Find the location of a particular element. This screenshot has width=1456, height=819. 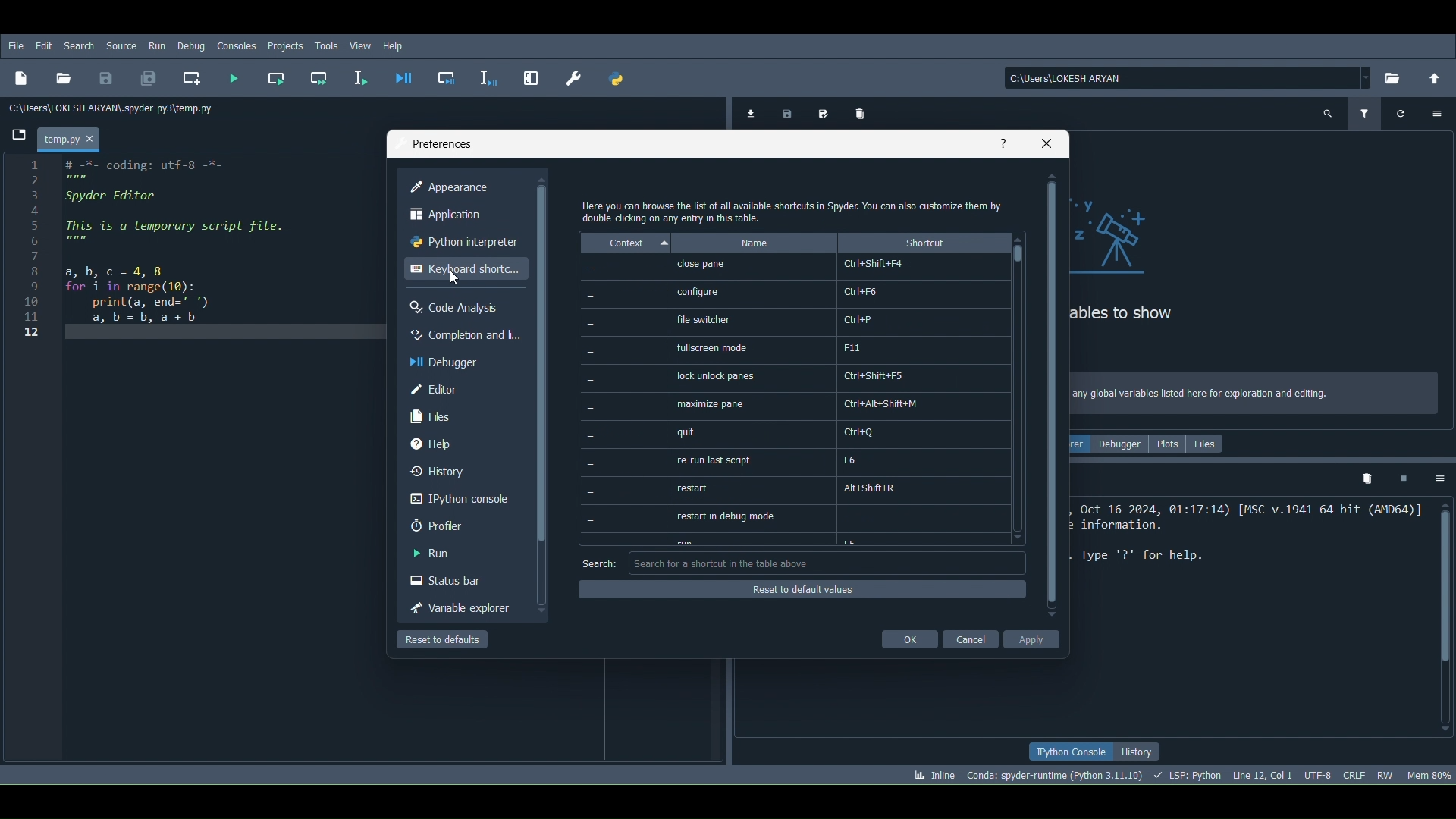

Table is located at coordinates (792, 391).